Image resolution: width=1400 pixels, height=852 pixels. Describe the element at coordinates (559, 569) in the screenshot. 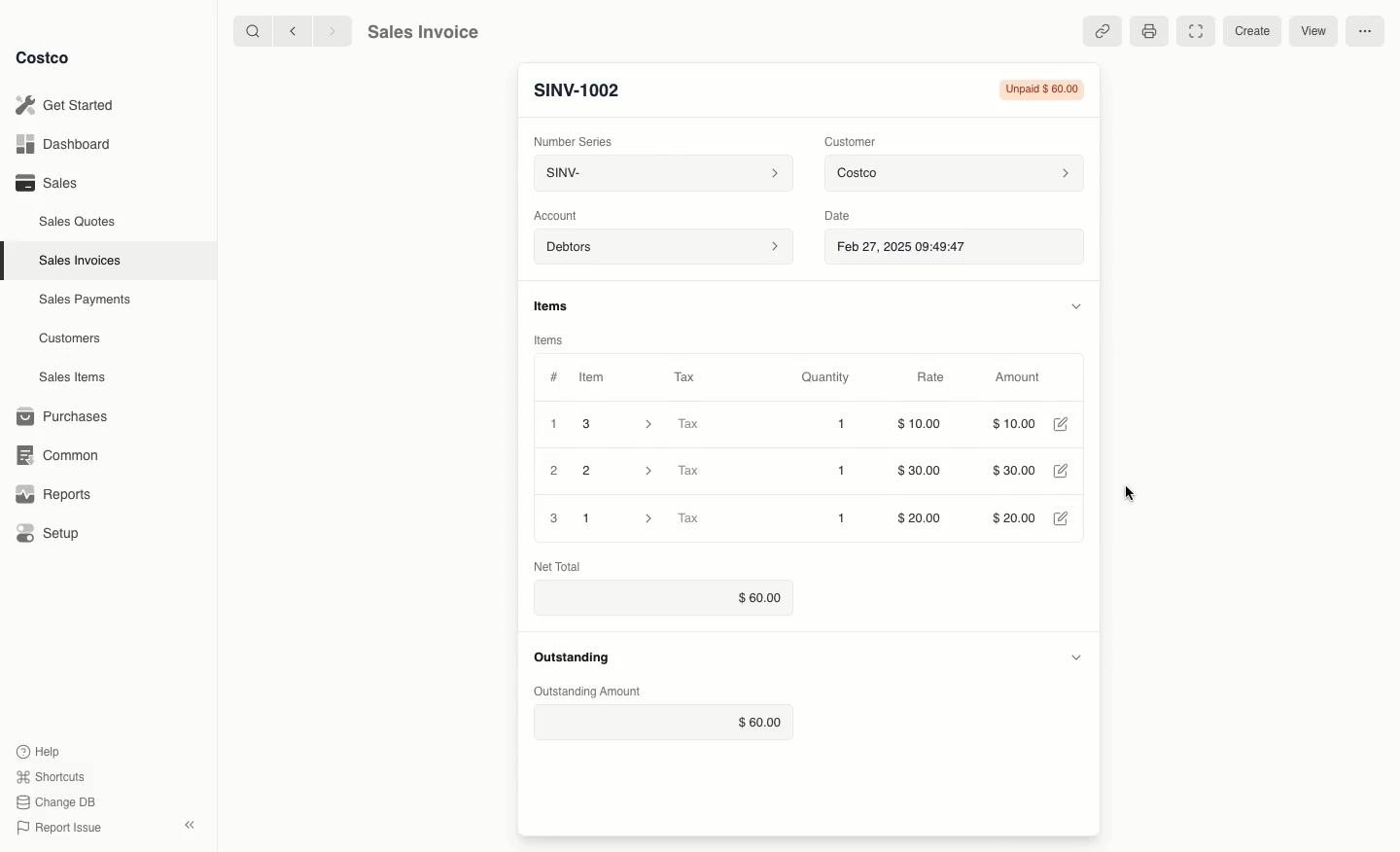

I see `Net Total` at that location.